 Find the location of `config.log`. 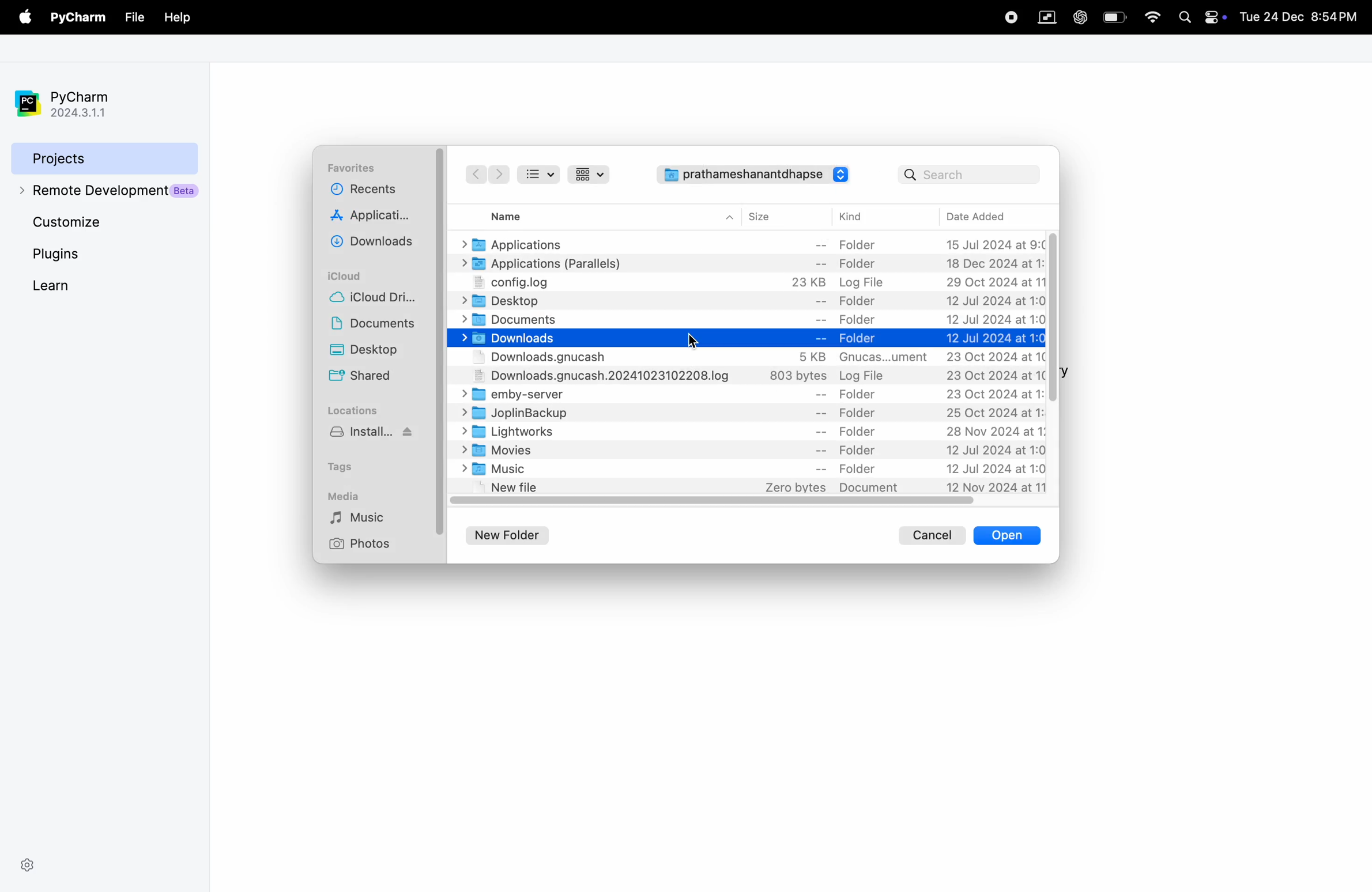

config.log is located at coordinates (748, 283).